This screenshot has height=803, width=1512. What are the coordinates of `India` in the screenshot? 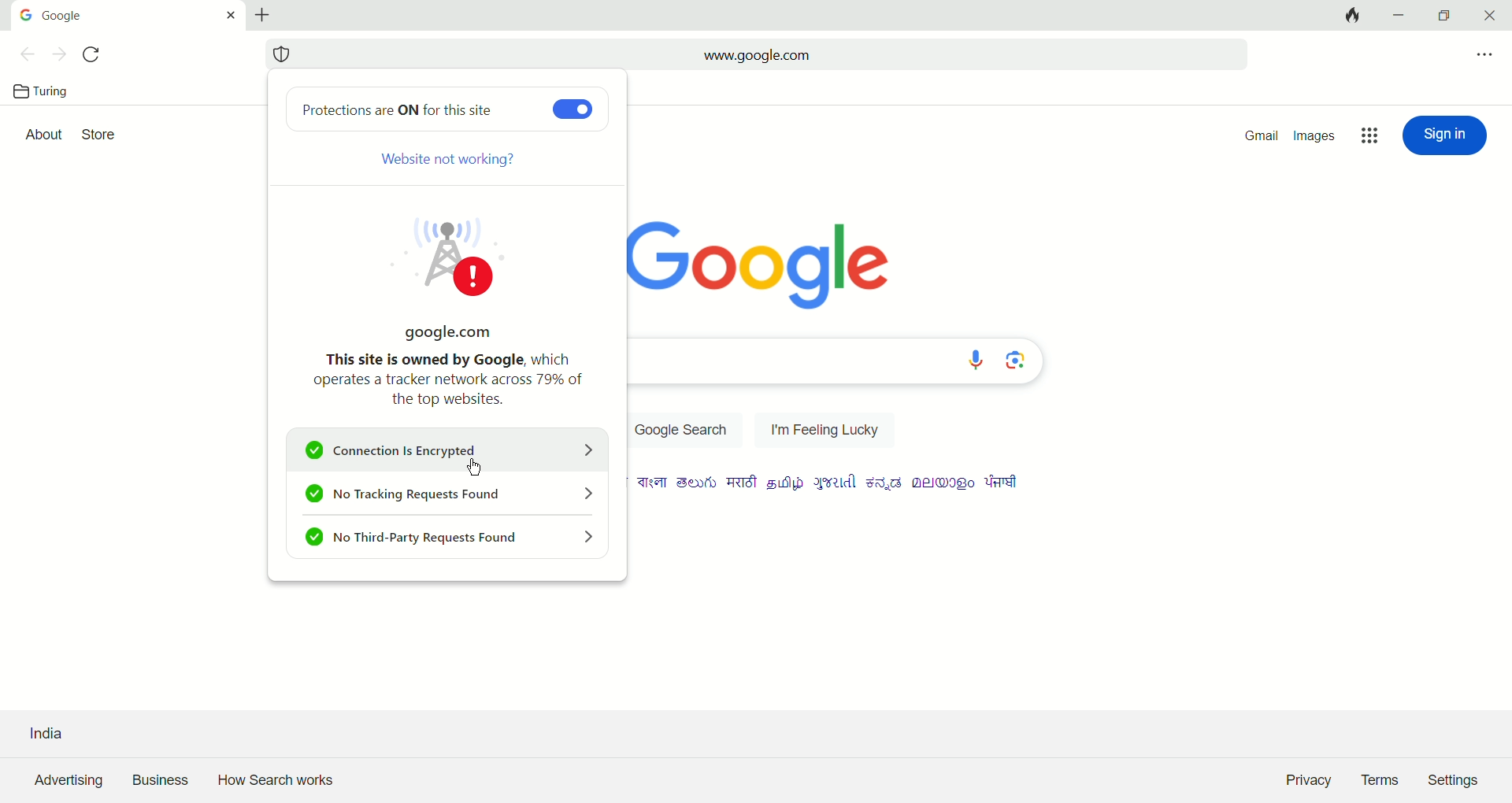 It's located at (47, 723).